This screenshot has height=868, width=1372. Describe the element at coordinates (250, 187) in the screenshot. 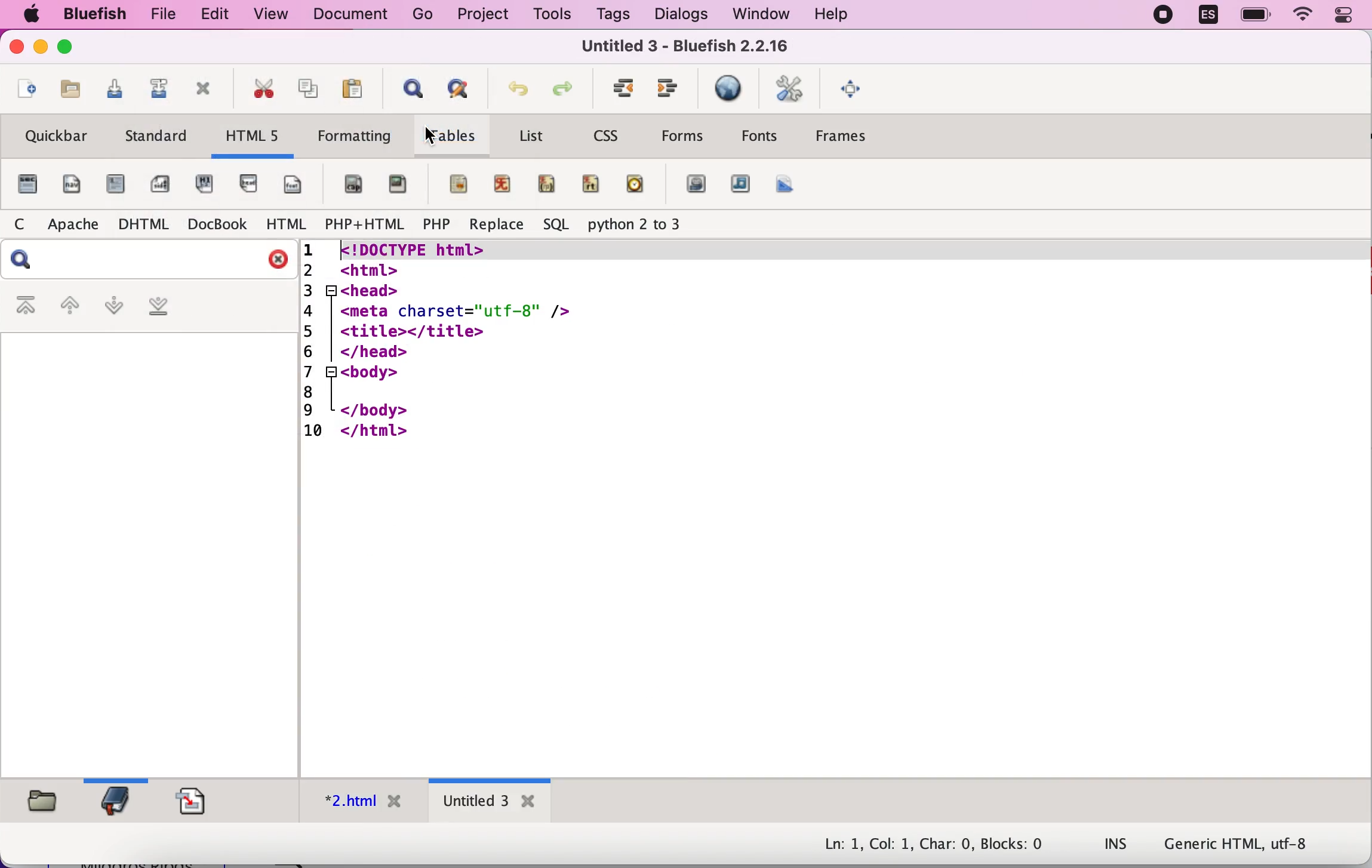

I see `header` at that location.